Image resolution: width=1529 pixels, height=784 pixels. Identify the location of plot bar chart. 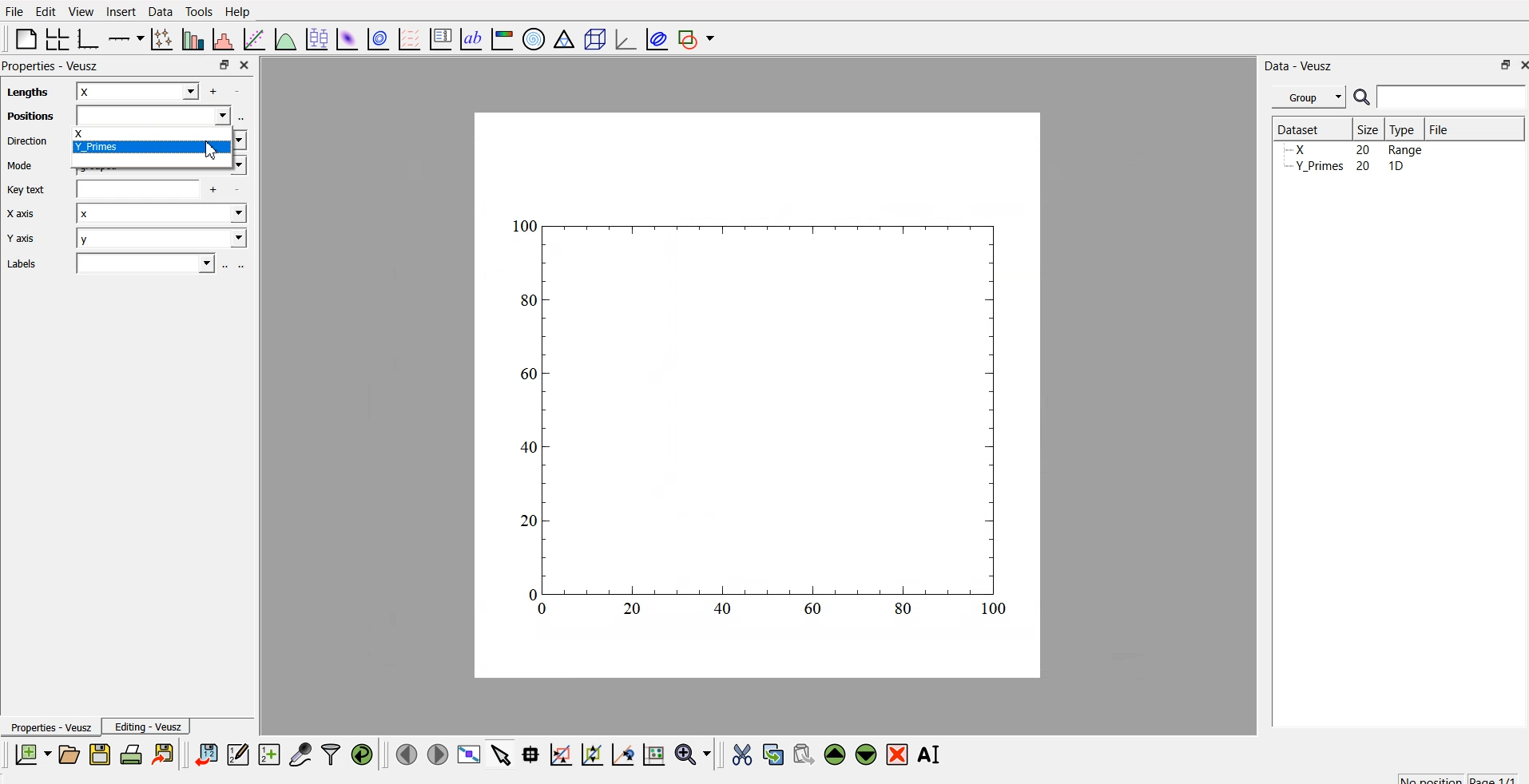
(191, 41).